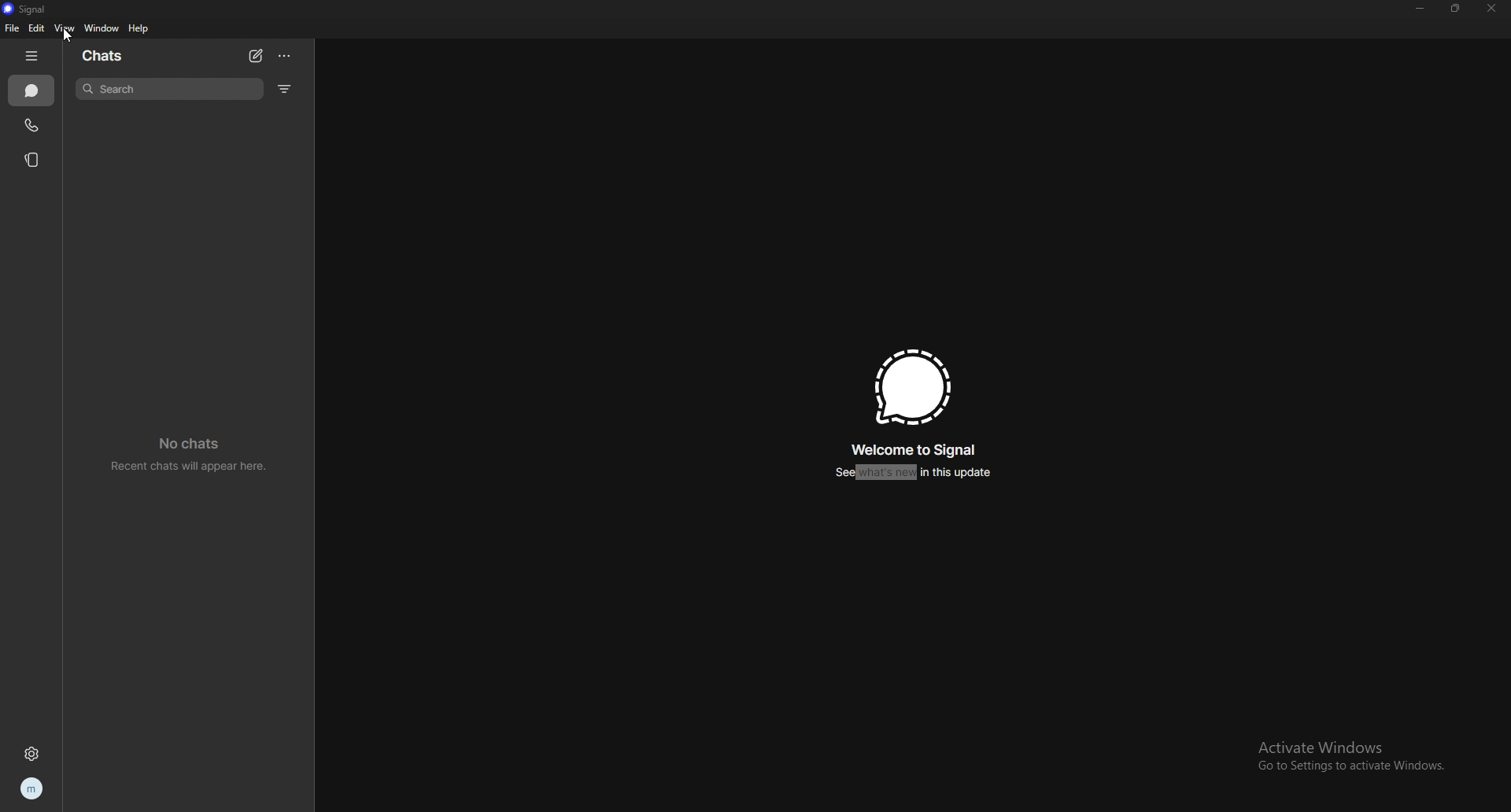  What do you see at coordinates (139, 29) in the screenshot?
I see `help` at bounding box center [139, 29].